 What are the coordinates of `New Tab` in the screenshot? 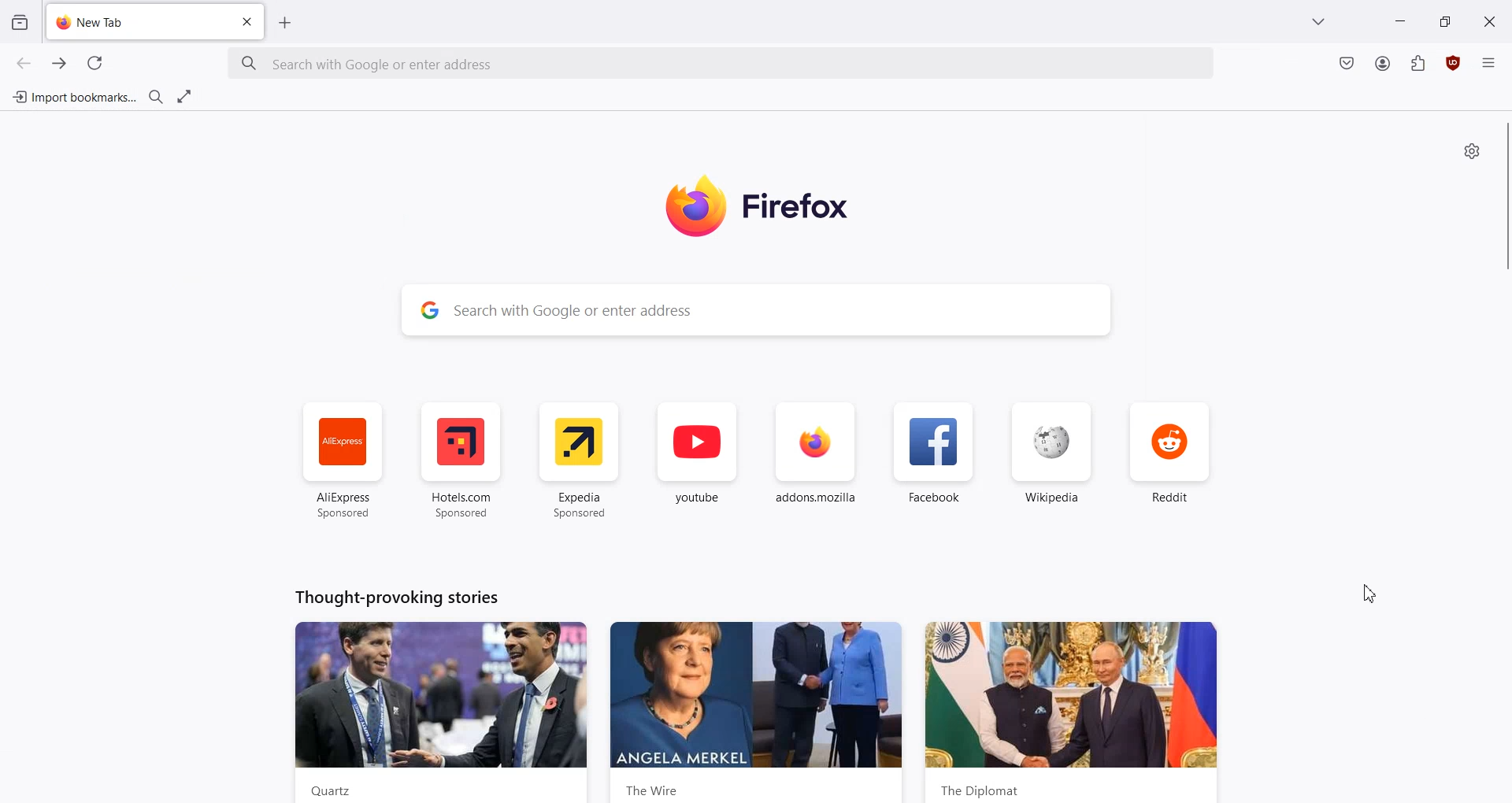 It's located at (132, 24).